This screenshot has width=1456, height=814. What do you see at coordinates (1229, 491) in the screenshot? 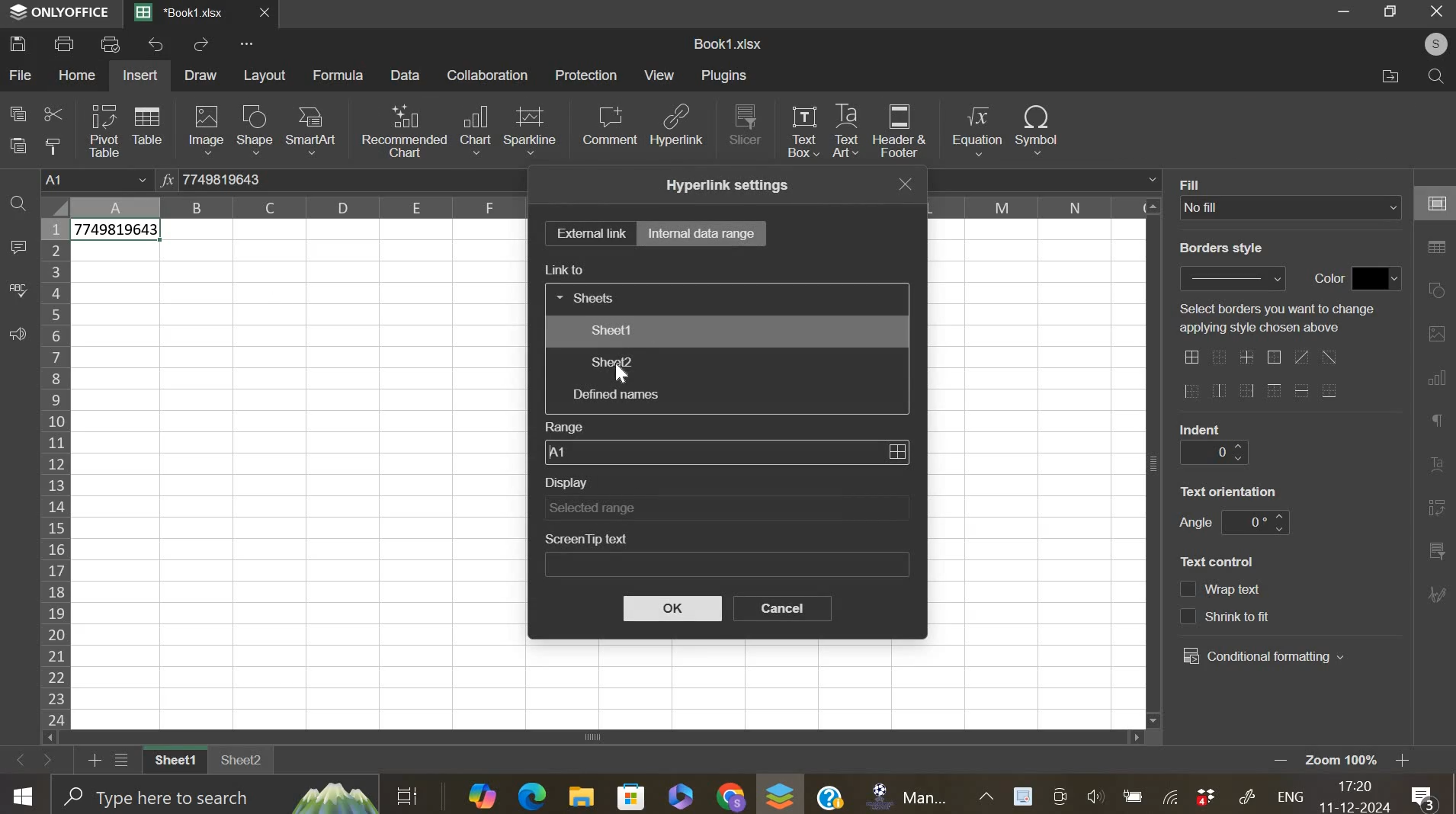
I see `text` at bounding box center [1229, 491].